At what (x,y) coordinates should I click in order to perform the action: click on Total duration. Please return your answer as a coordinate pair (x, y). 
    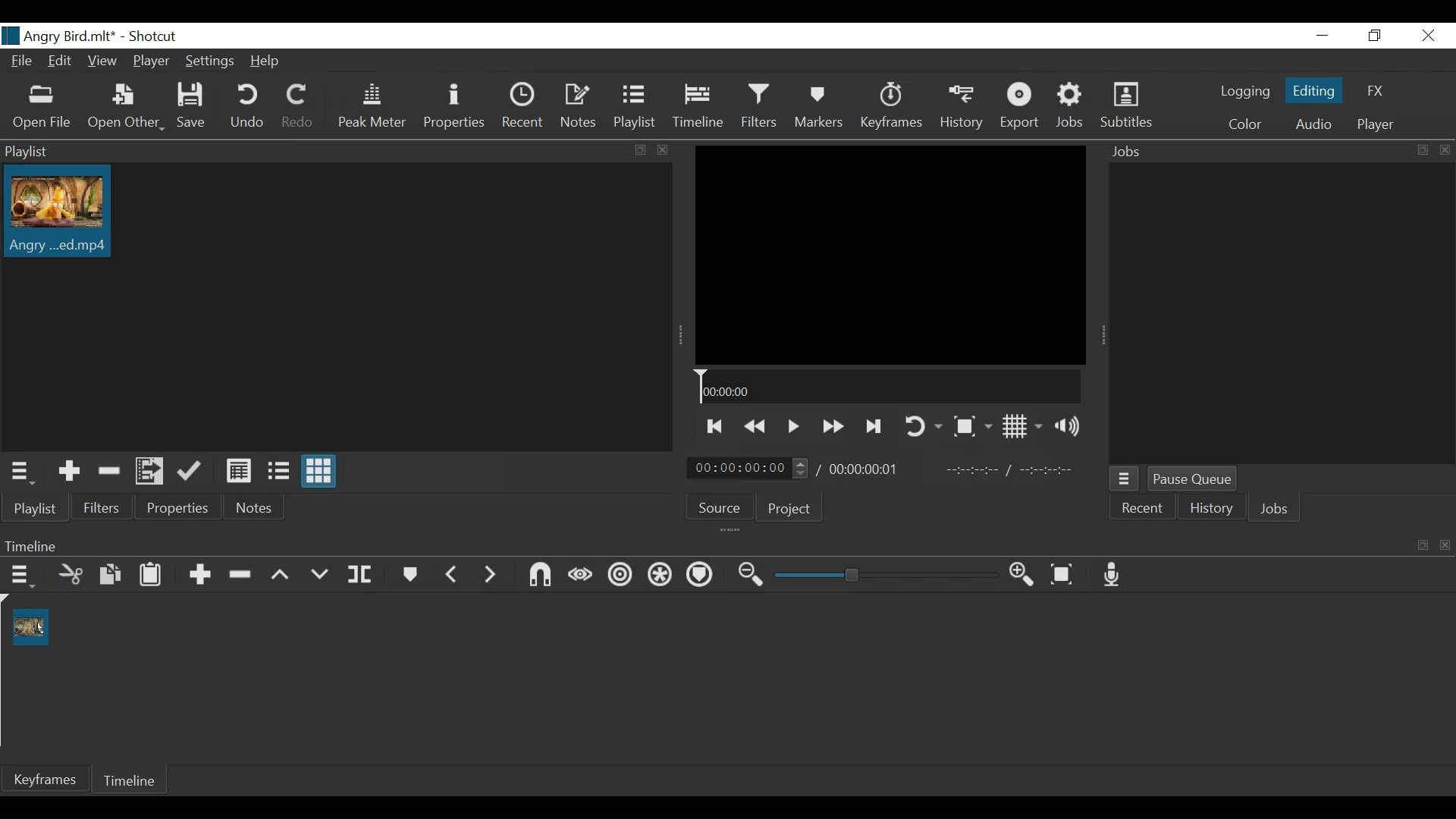
    Looking at the image, I should click on (868, 469).